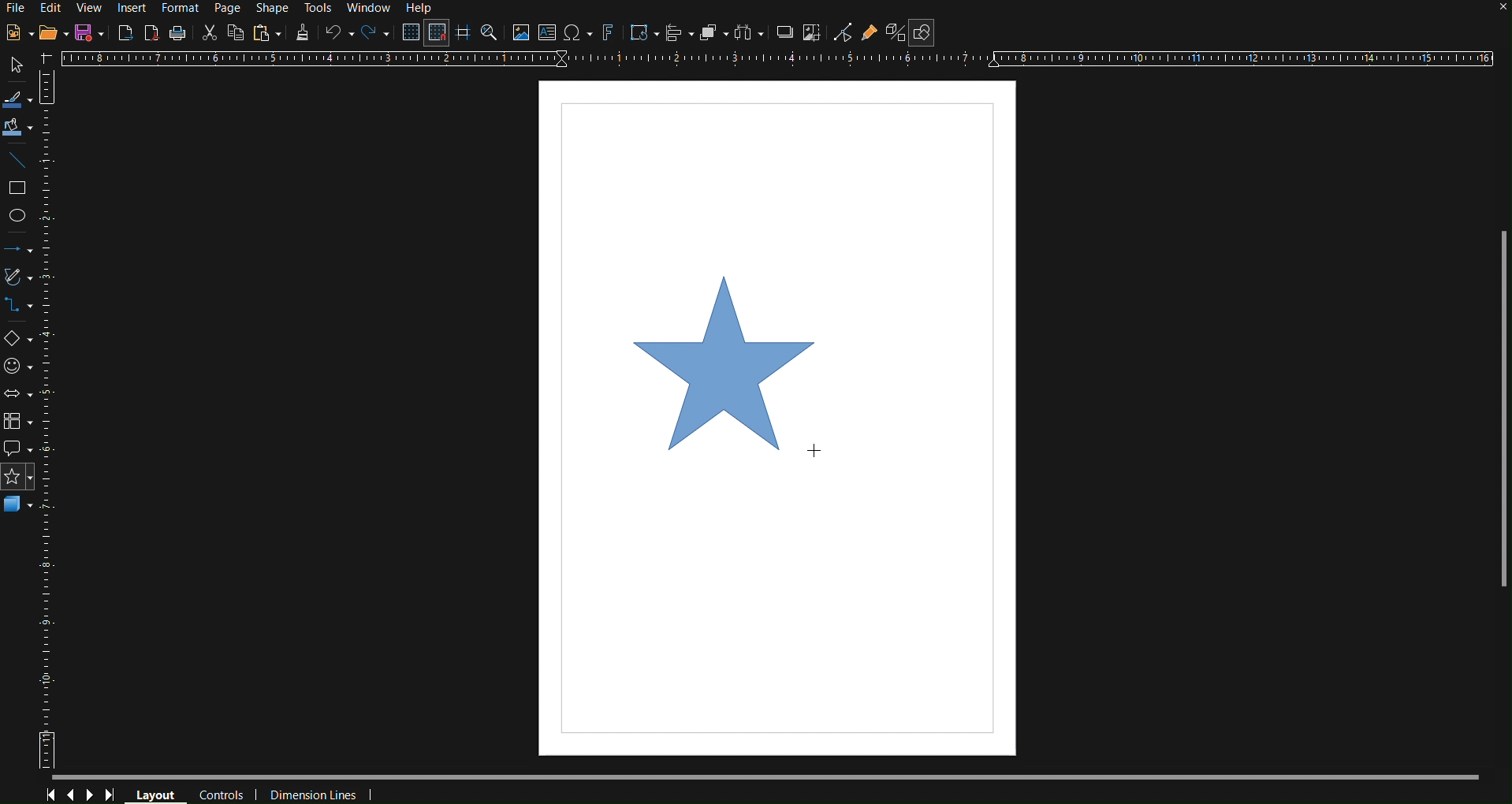  Describe the element at coordinates (782, 35) in the screenshot. I see `Shadow` at that location.